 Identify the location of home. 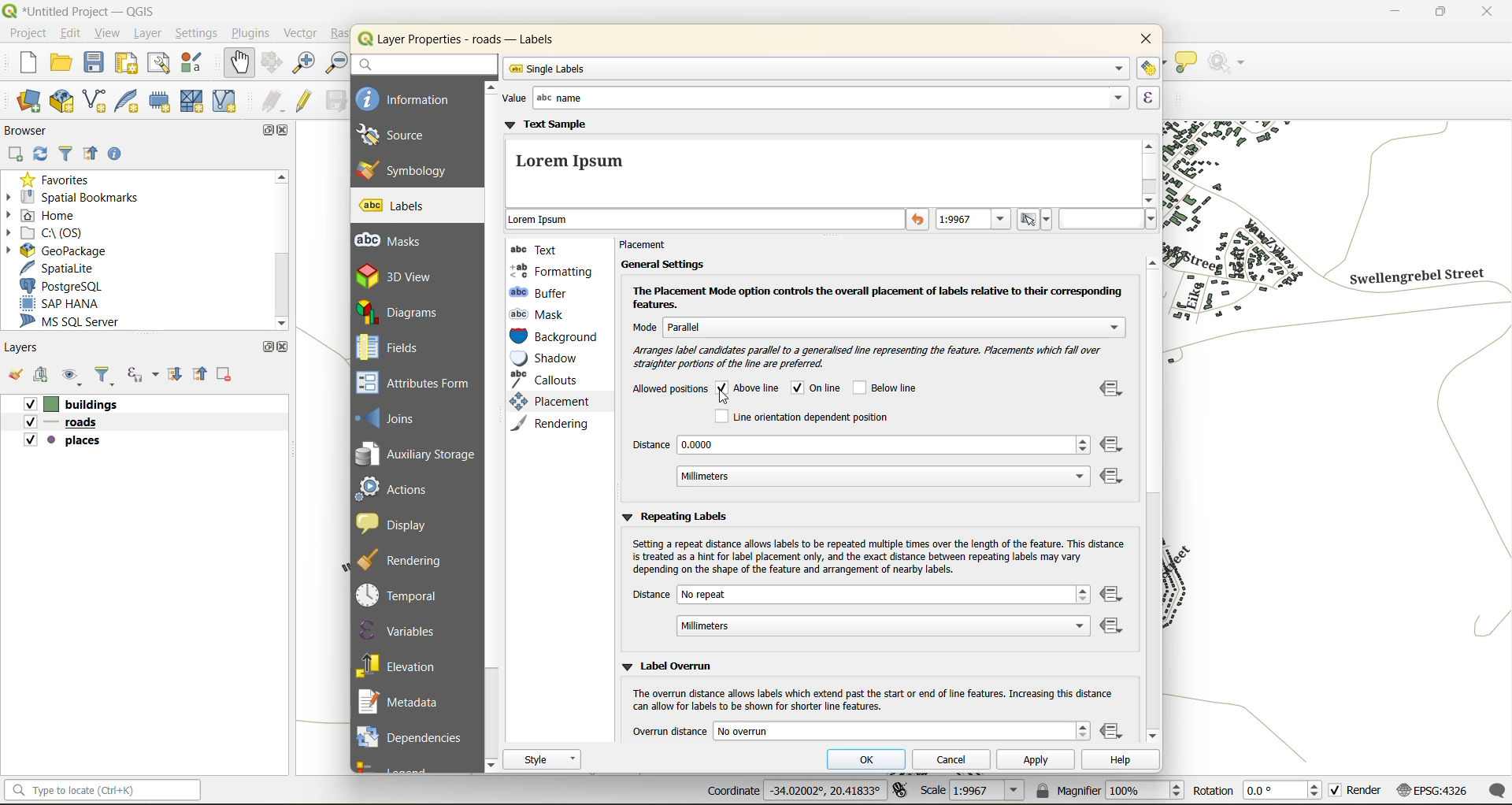
(50, 215).